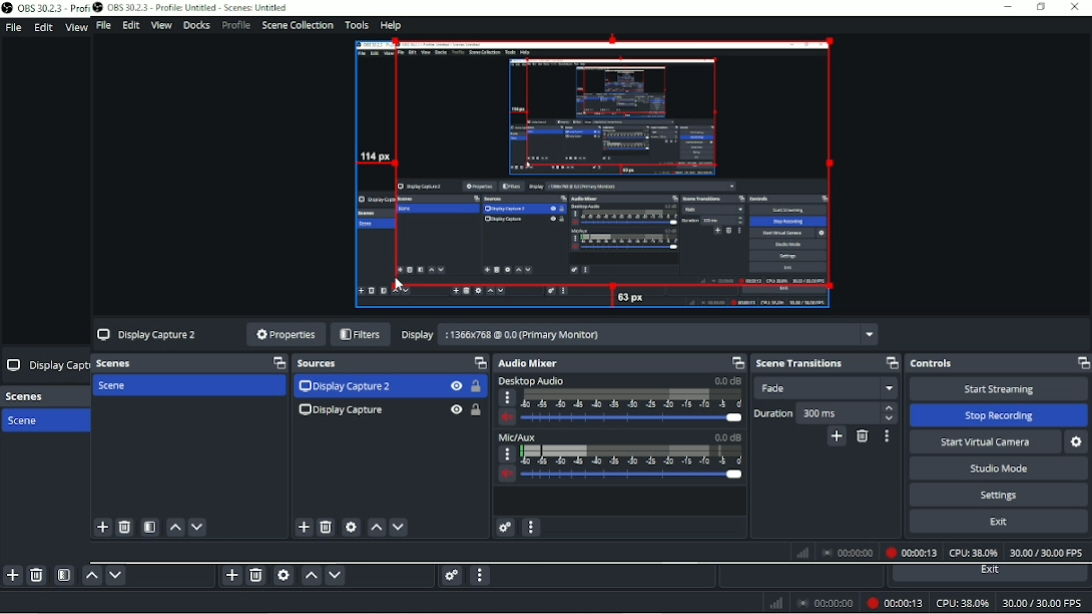 This screenshot has width=1092, height=614. What do you see at coordinates (1006, 7) in the screenshot?
I see `minimise` at bounding box center [1006, 7].